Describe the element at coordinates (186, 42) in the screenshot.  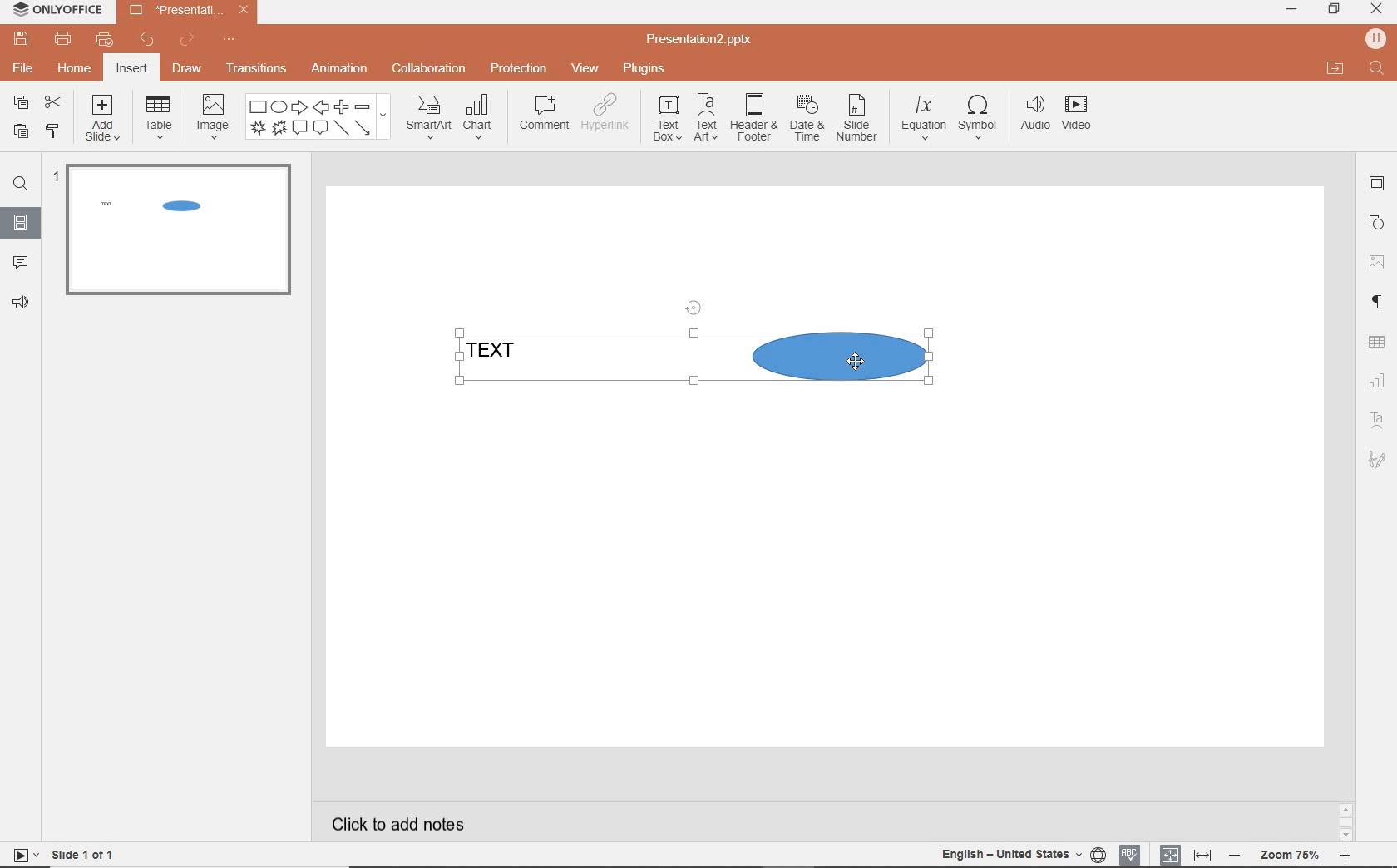
I see `redo` at that location.